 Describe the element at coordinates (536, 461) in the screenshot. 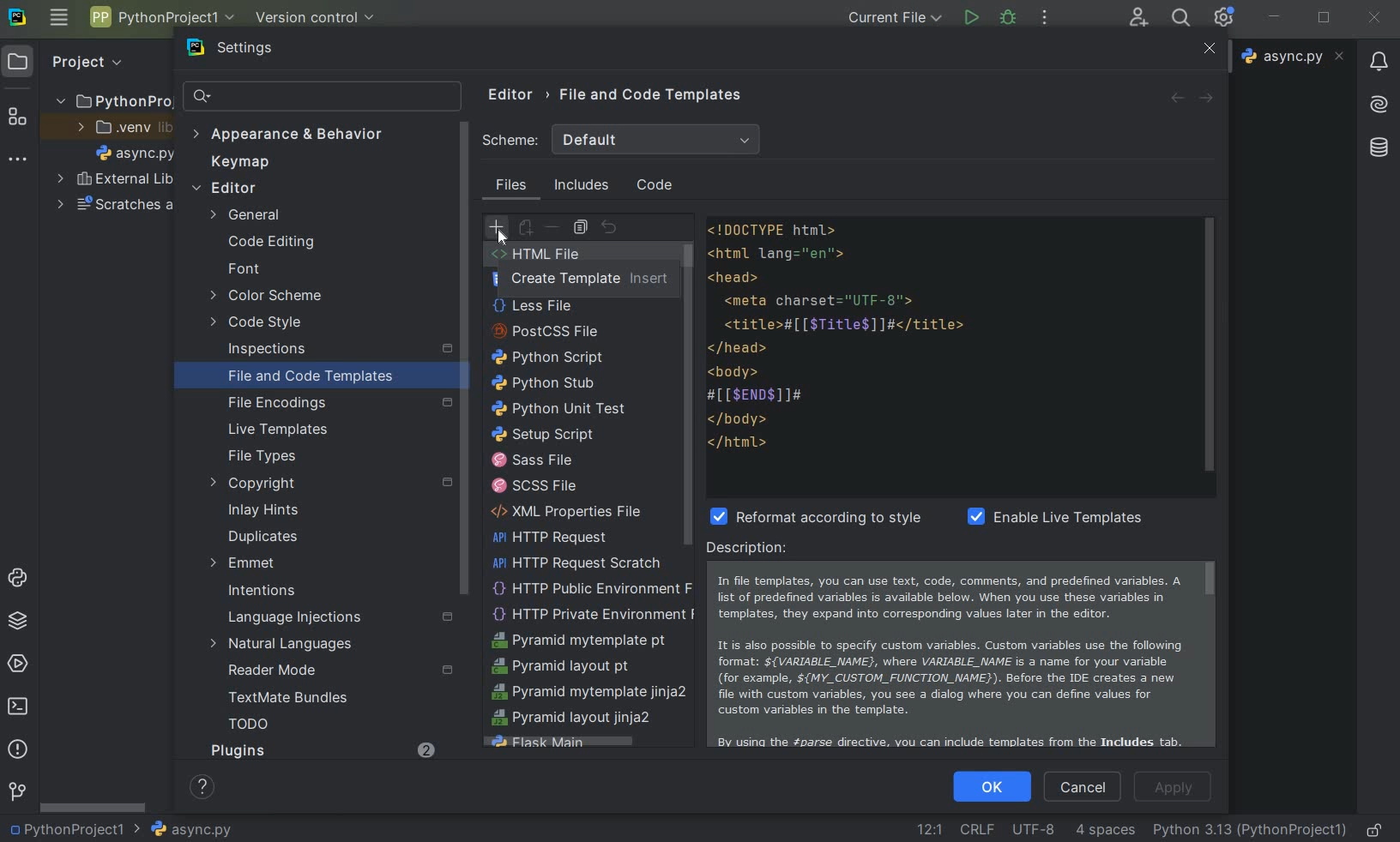

I see `sass file` at that location.